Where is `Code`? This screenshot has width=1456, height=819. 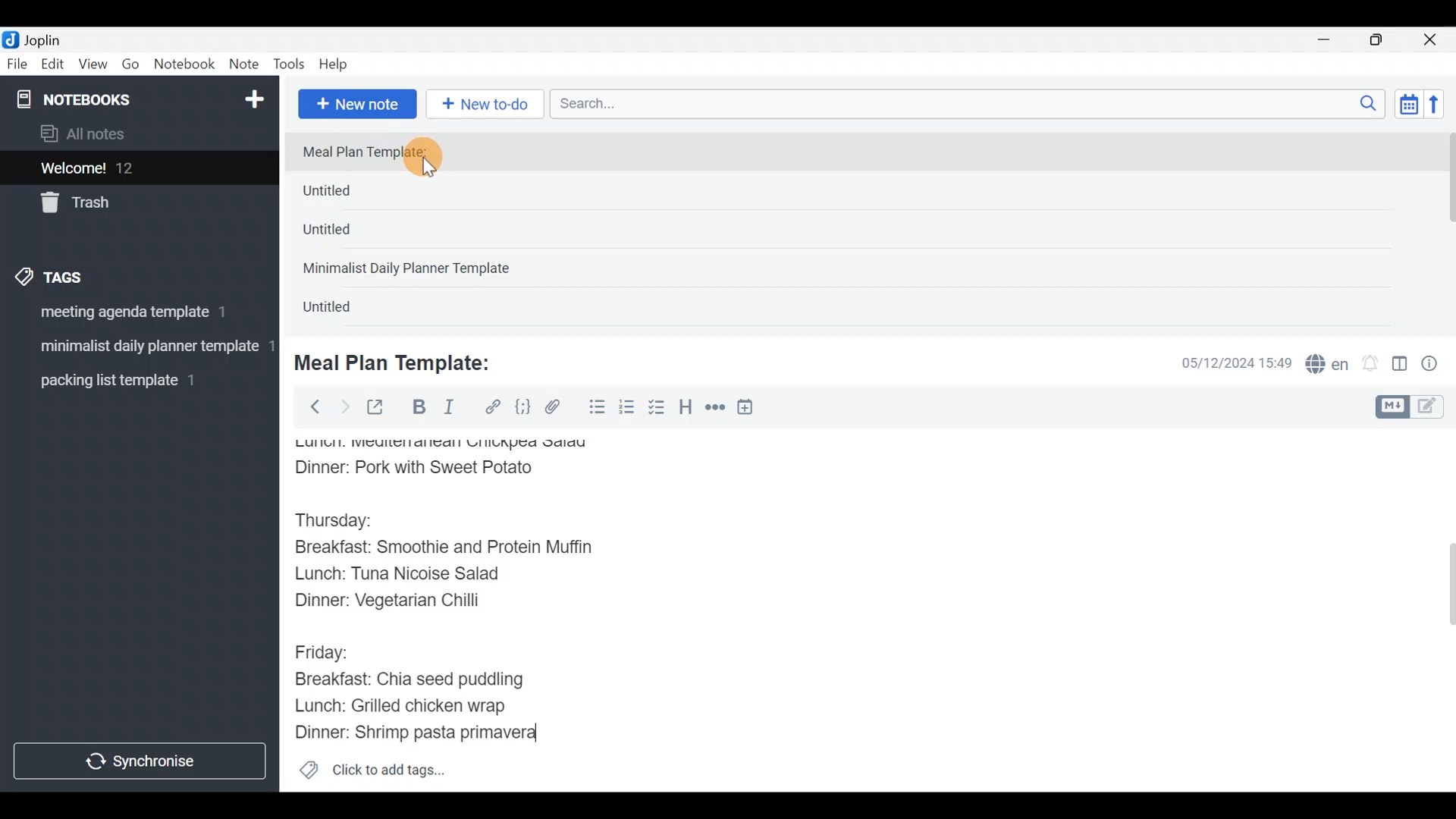
Code is located at coordinates (521, 406).